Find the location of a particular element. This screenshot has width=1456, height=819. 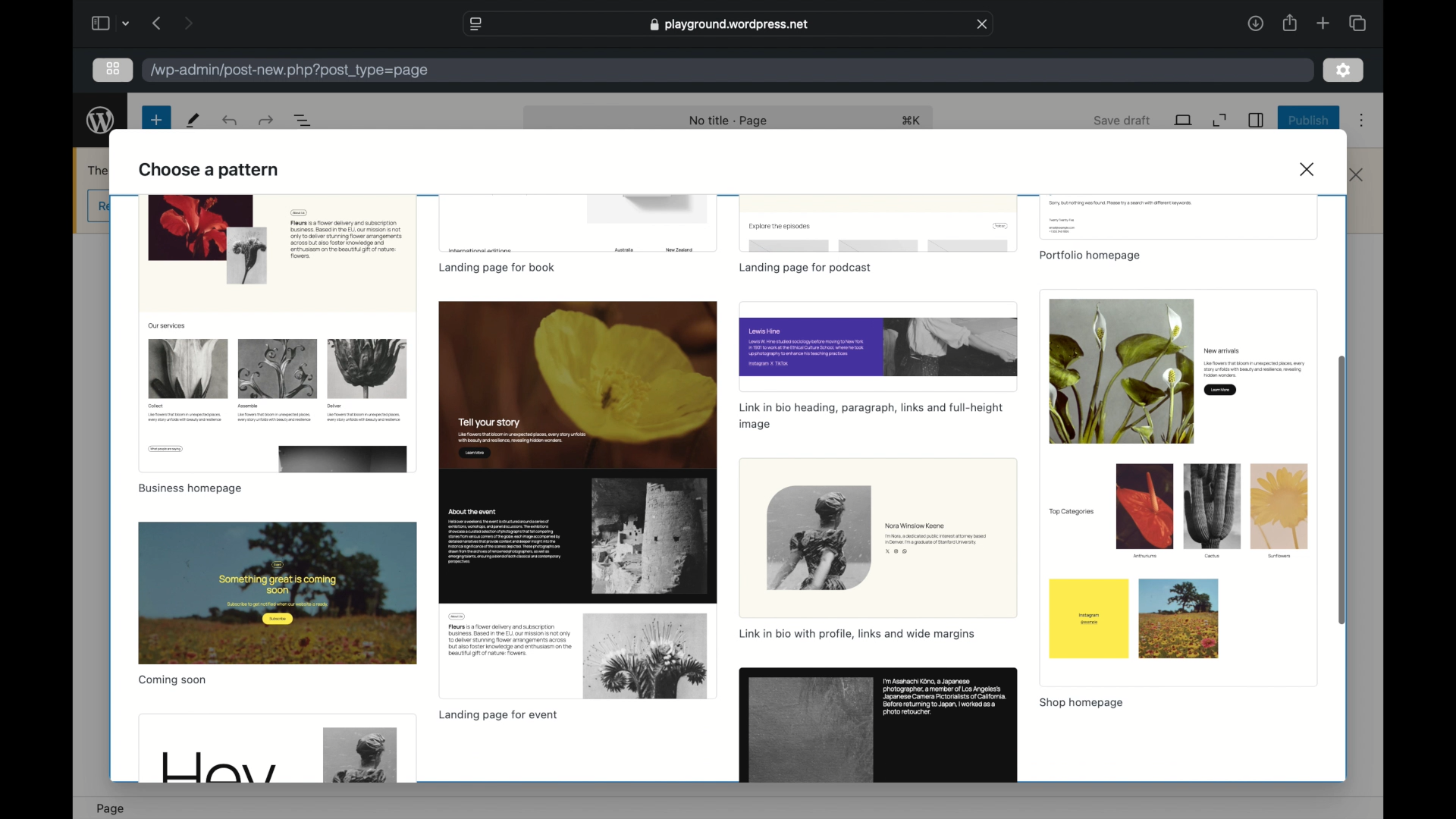

page is located at coordinates (111, 809).